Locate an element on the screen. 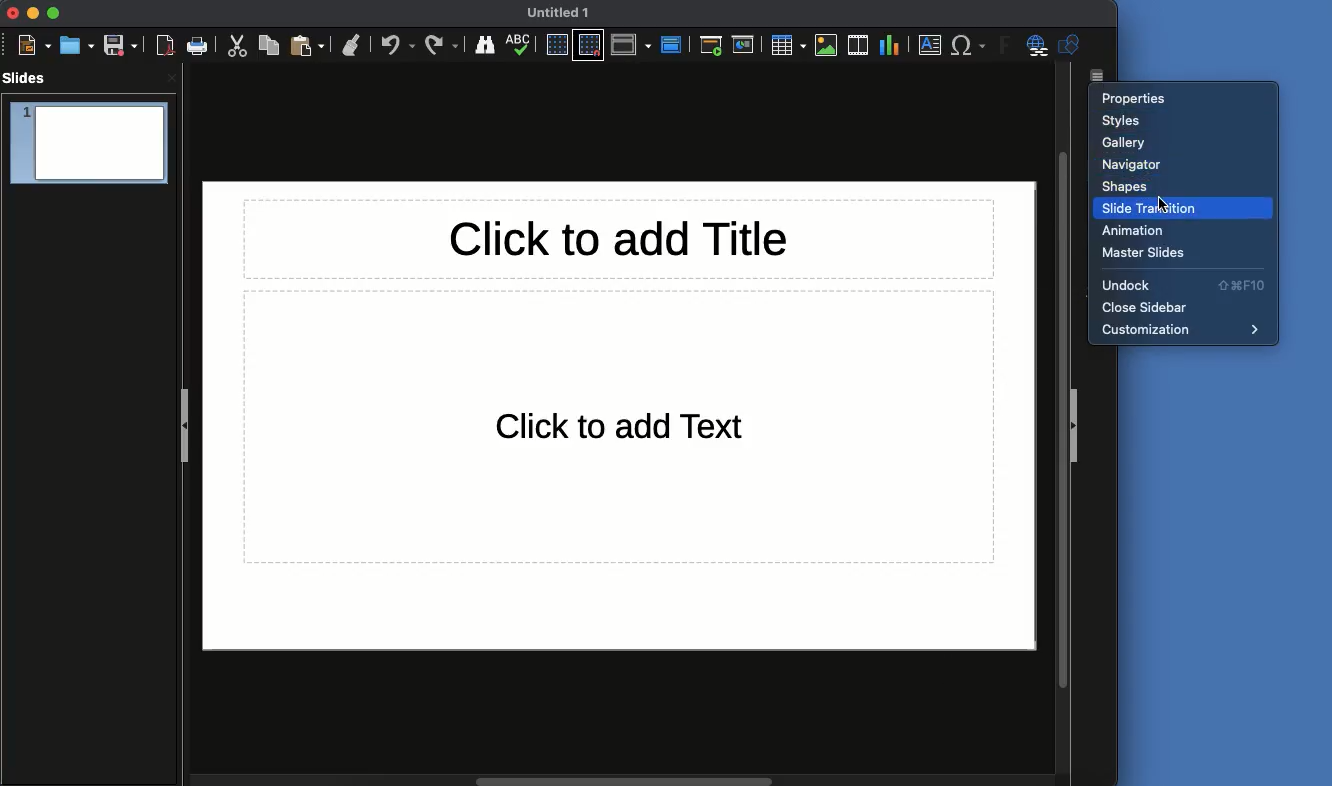 The height and width of the screenshot is (786, 1332). Hyperlink is located at coordinates (1034, 48).